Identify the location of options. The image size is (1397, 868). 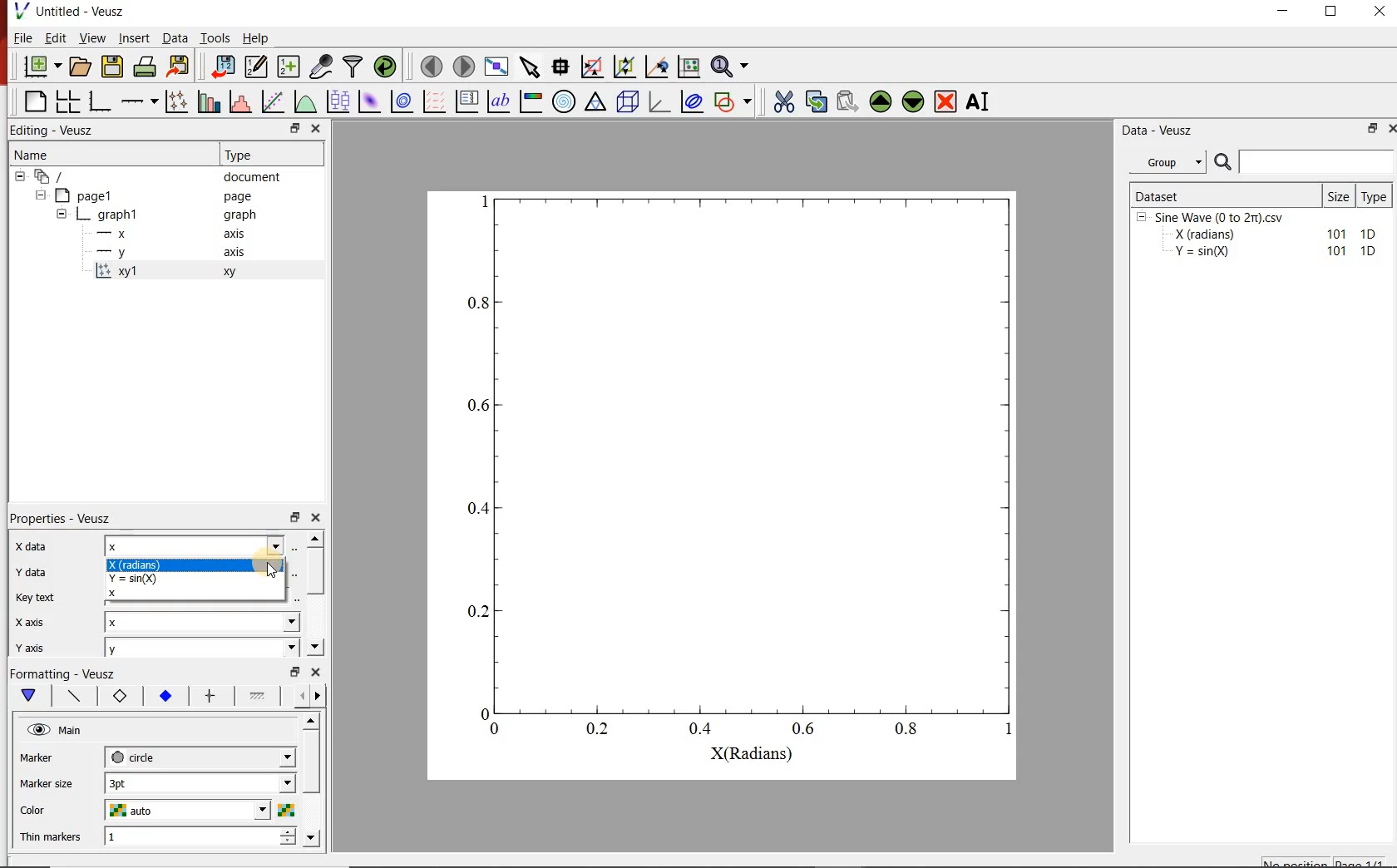
(257, 698).